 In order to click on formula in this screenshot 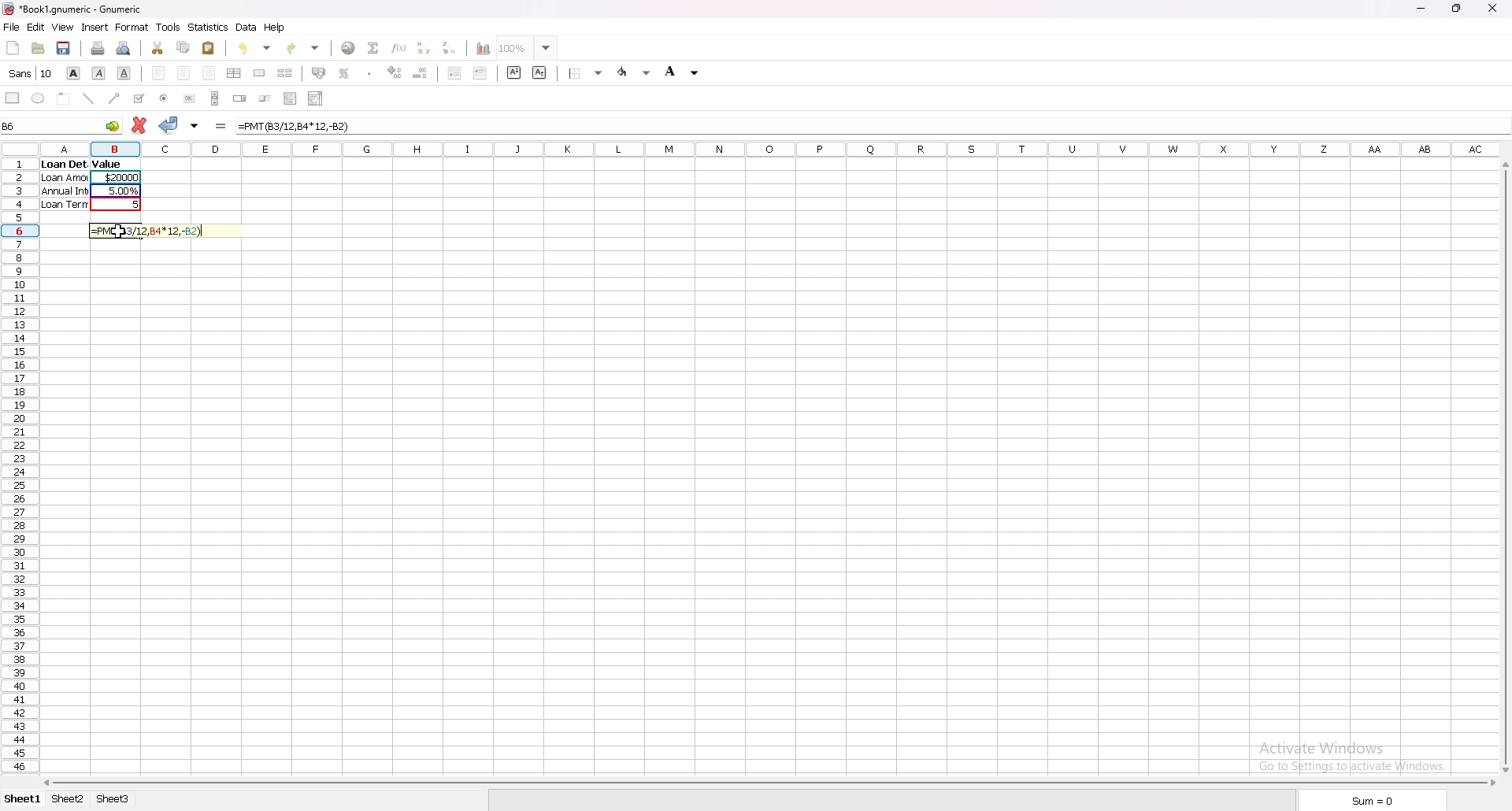, I will do `click(296, 126)`.